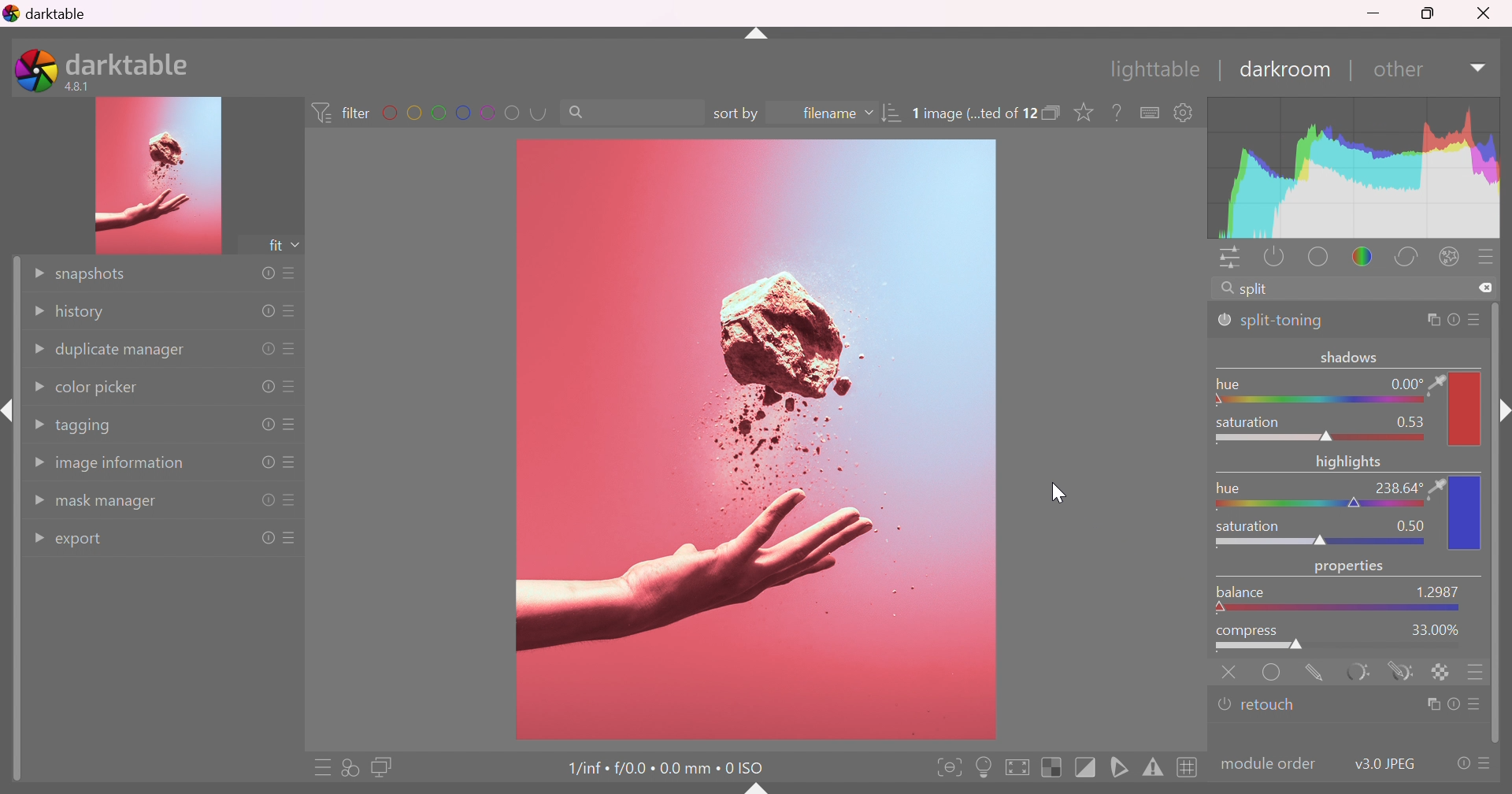 Image resolution: width=1512 pixels, height=794 pixels. I want to click on clear, so click(1485, 287).